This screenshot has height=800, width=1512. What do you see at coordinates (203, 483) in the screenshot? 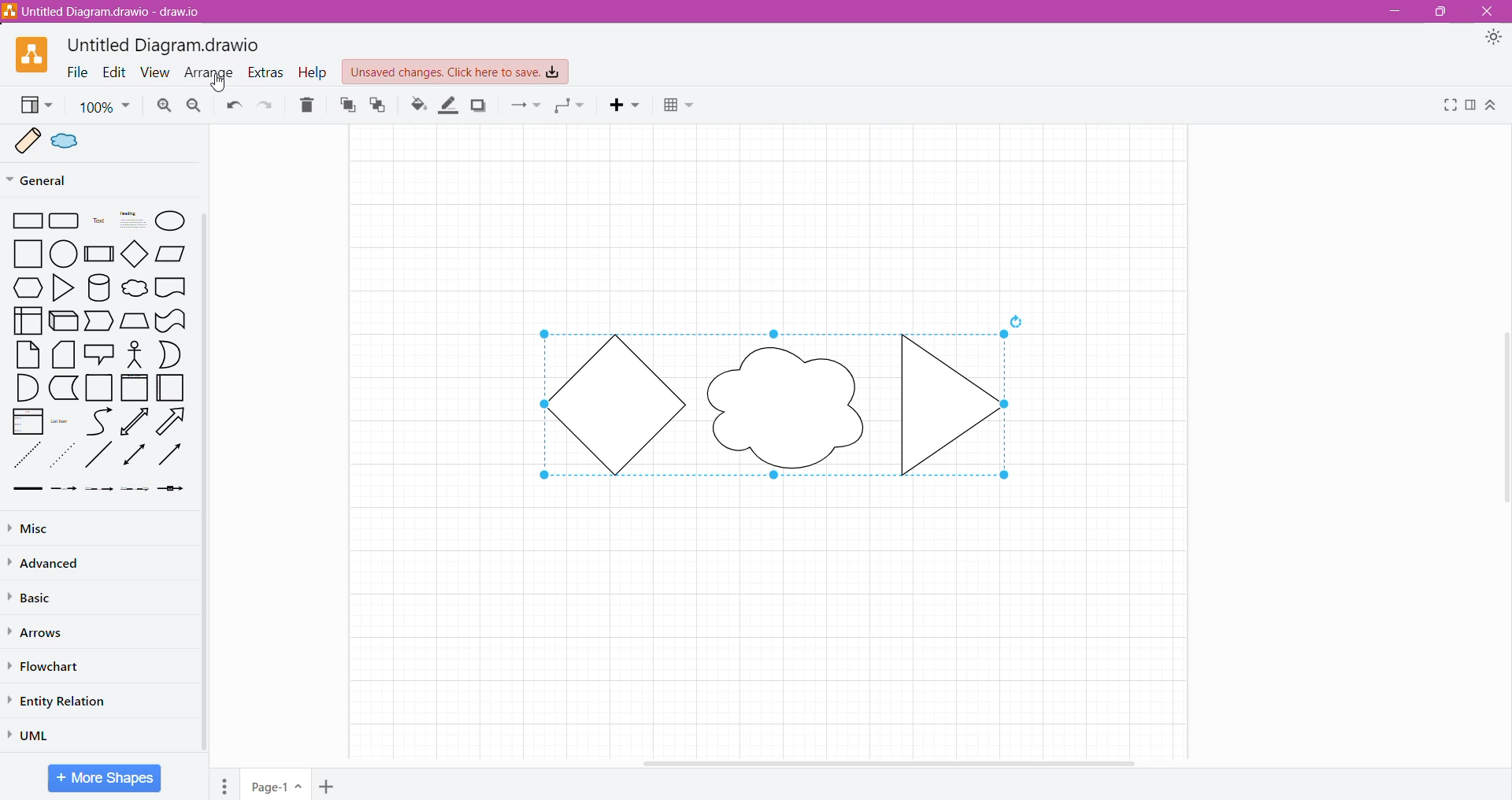
I see `Vertical Scroll Bar` at bounding box center [203, 483].